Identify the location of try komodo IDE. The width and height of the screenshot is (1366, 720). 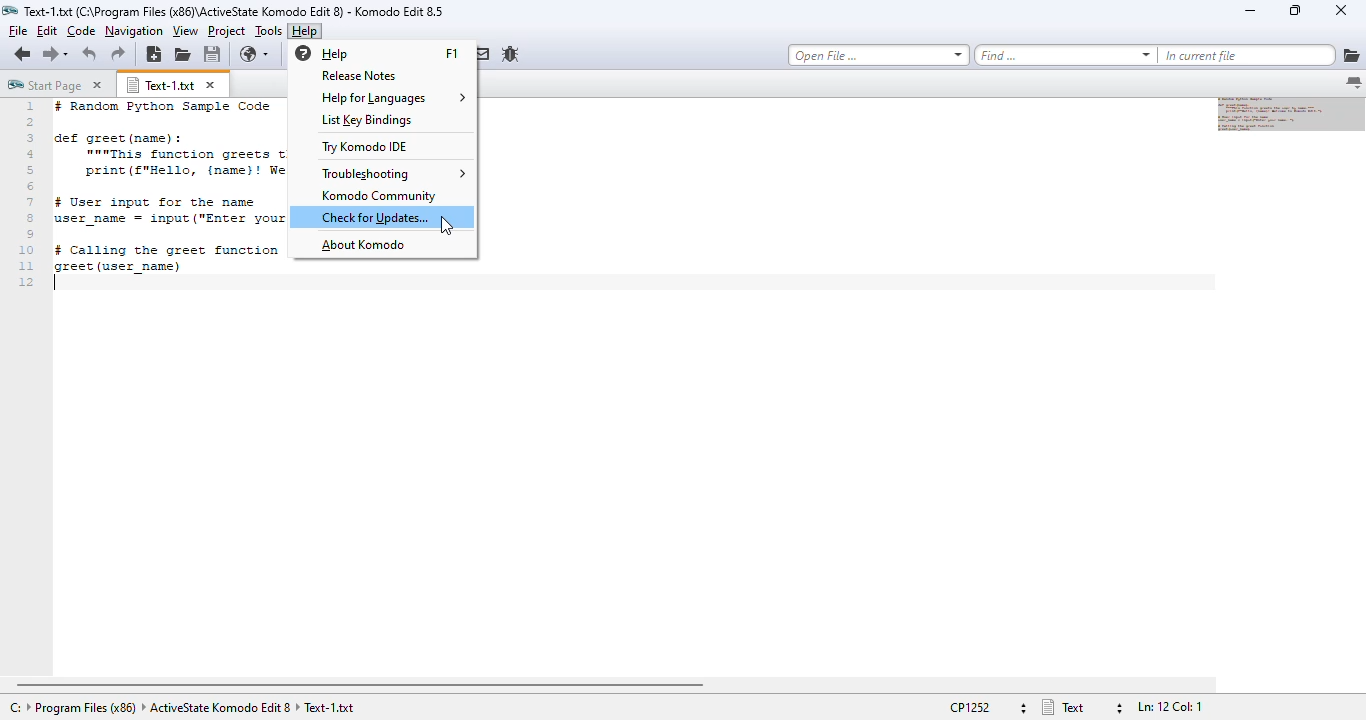
(365, 146).